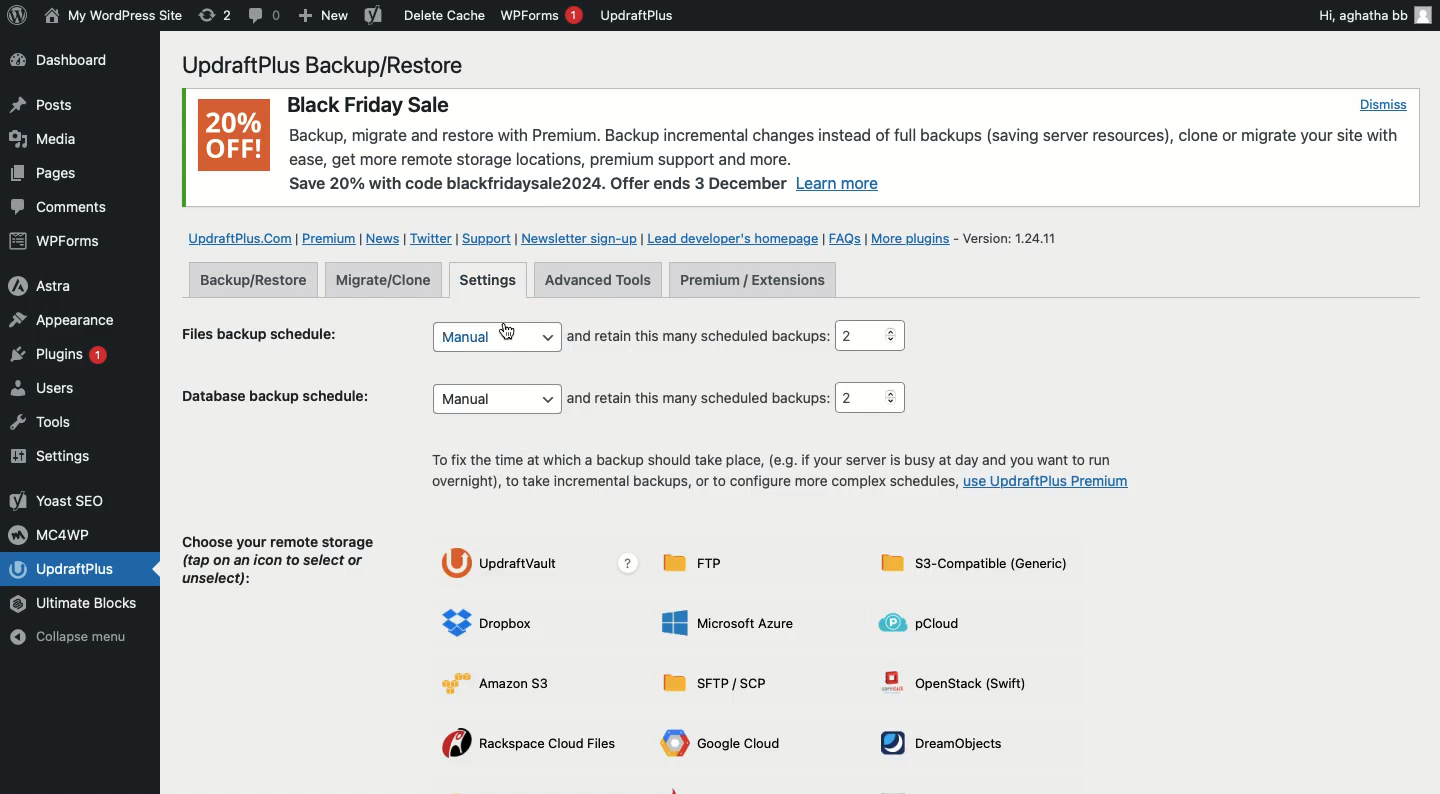 The width and height of the screenshot is (1440, 794). I want to click on Users, so click(63, 391).